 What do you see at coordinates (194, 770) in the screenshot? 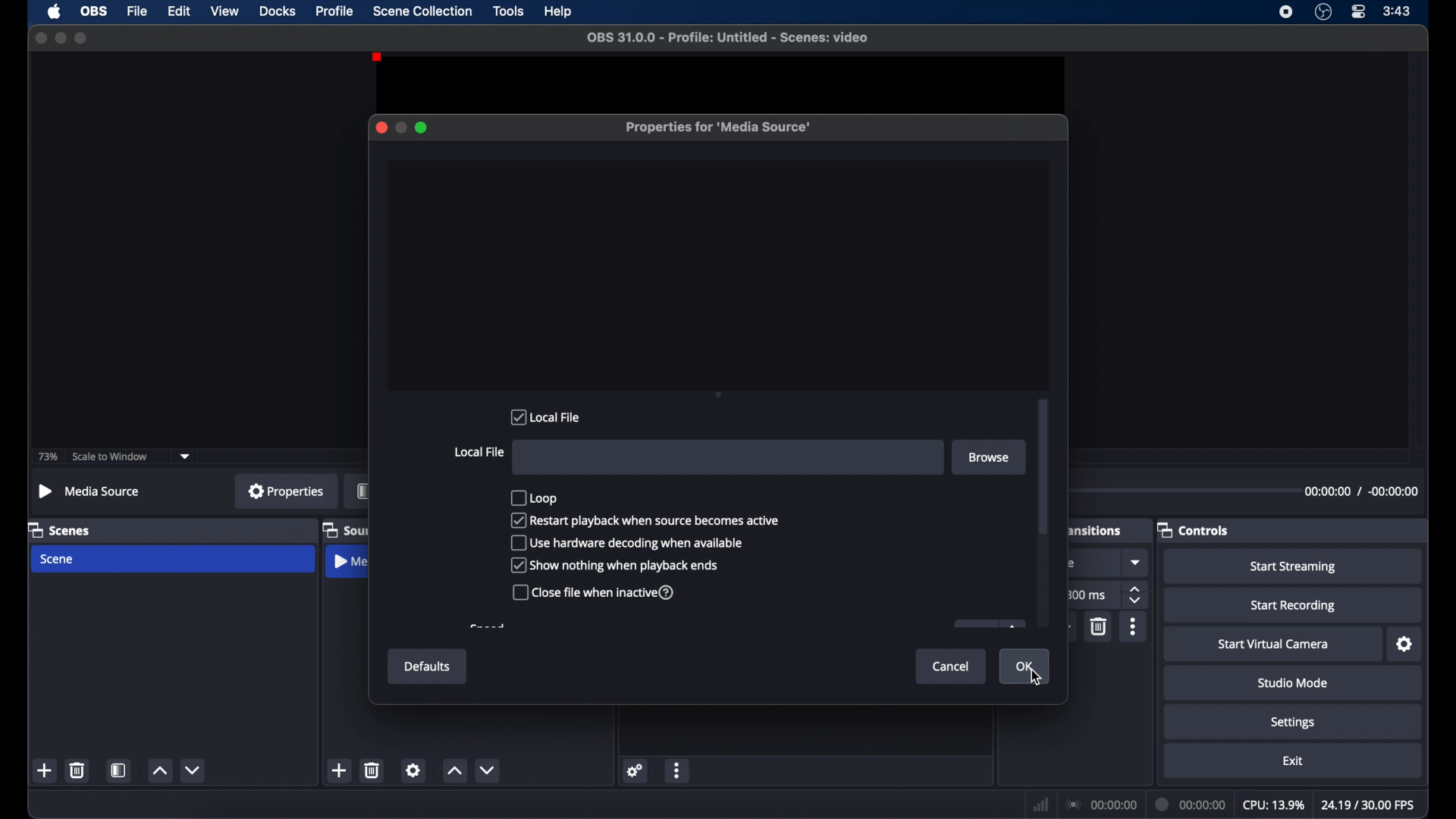
I see `decrement` at bounding box center [194, 770].